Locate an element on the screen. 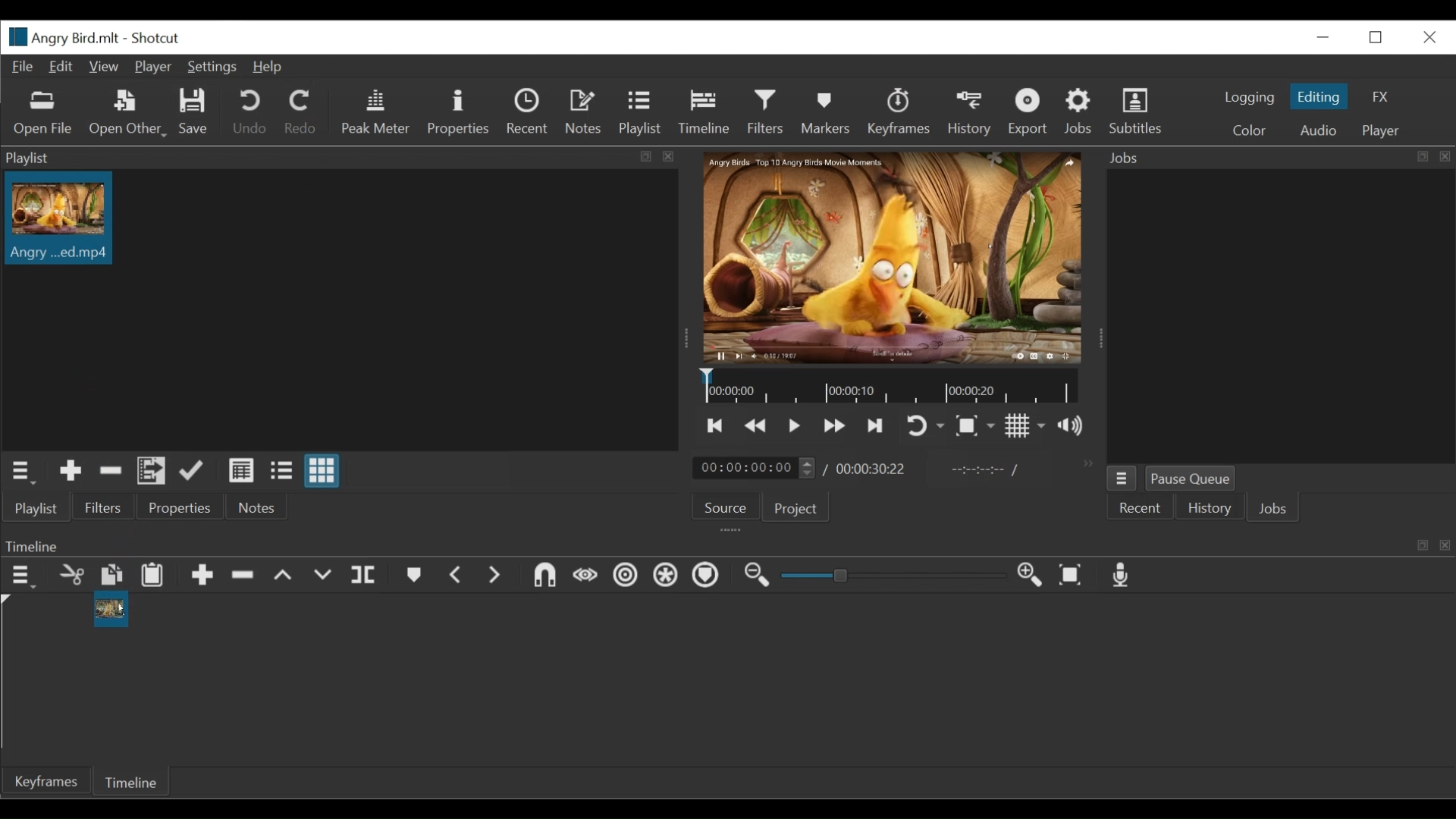 This screenshot has width=1456, height=819. Jobs menu is located at coordinates (1122, 478).